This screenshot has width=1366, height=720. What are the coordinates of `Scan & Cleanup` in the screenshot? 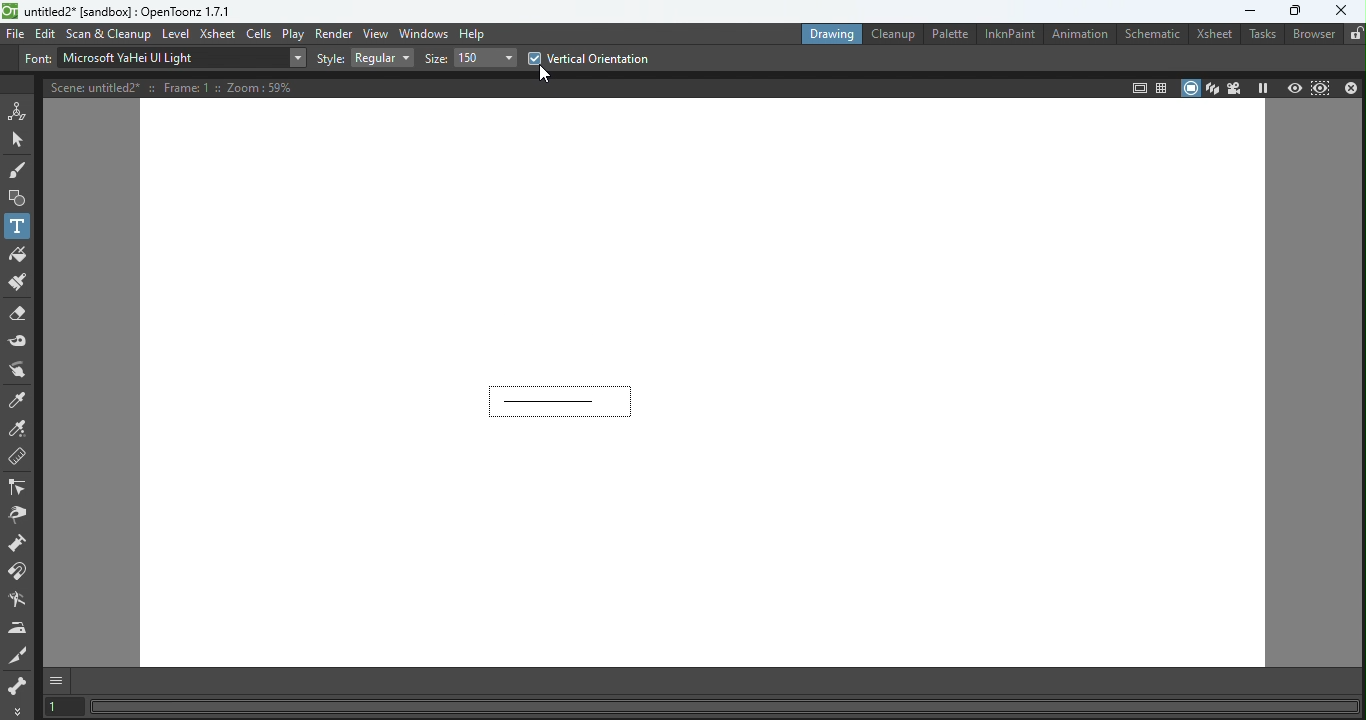 It's located at (112, 35).